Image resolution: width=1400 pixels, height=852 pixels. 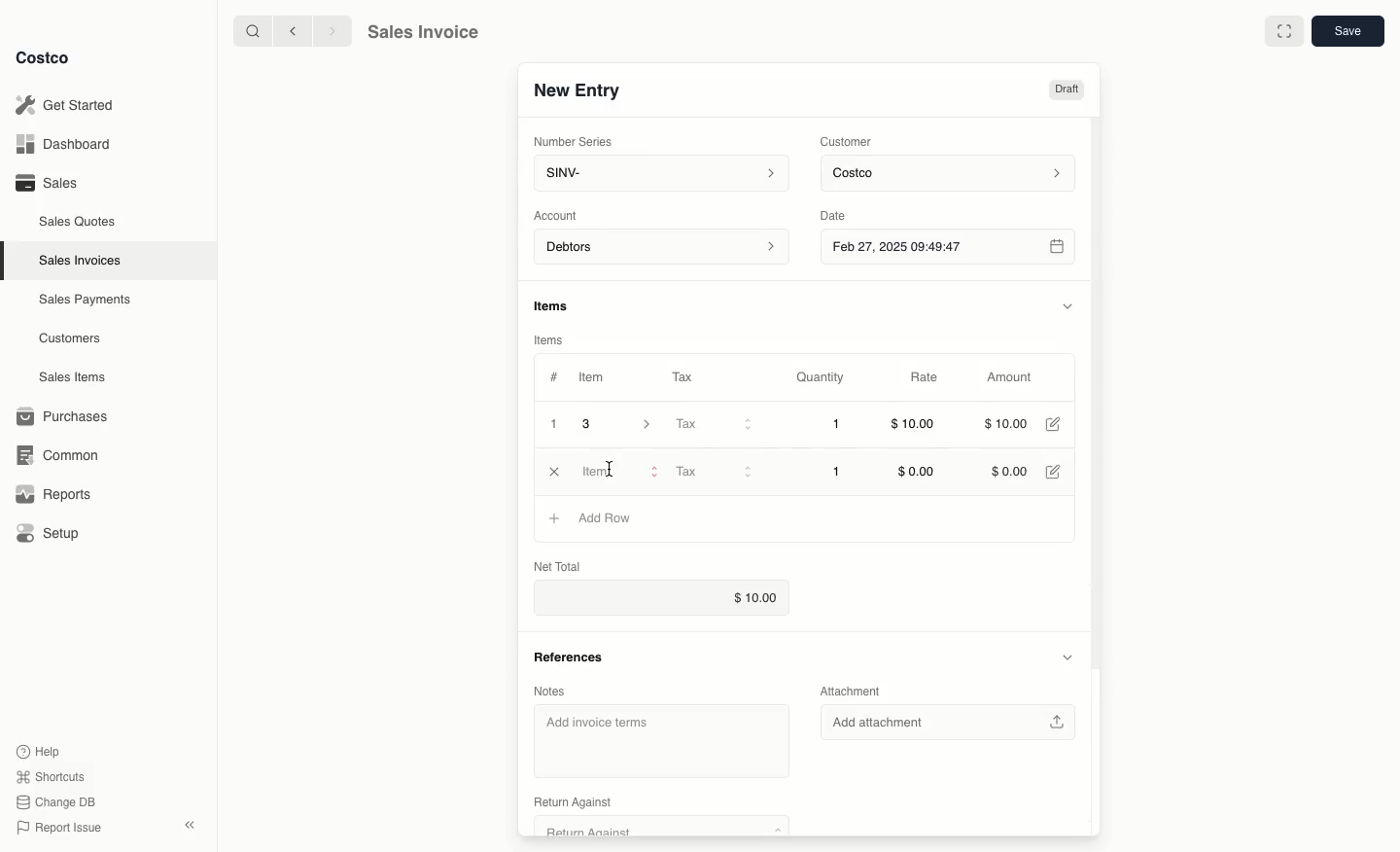 What do you see at coordinates (1067, 90) in the screenshot?
I see `Draft` at bounding box center [1067, 90].